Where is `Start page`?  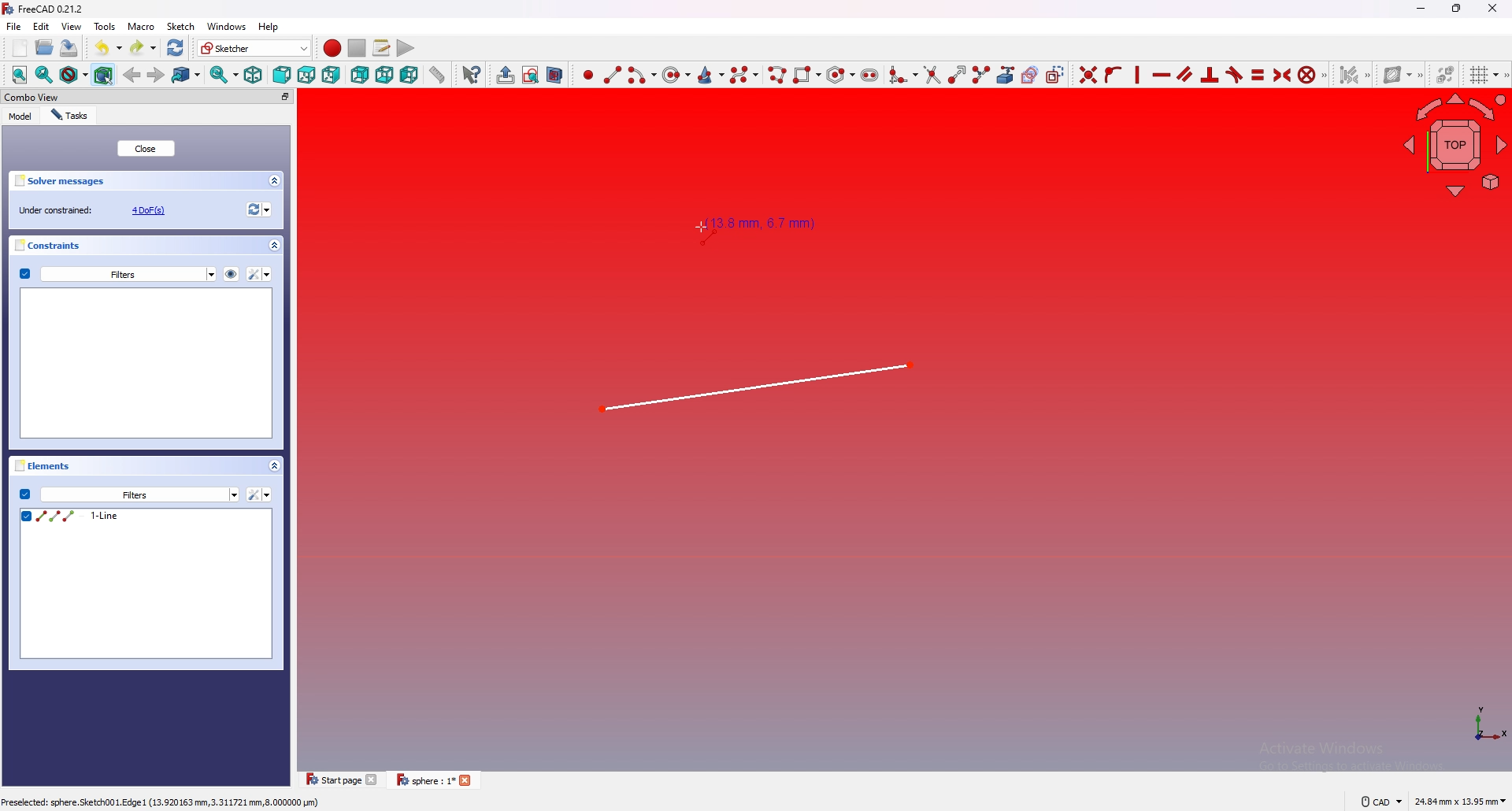
Start page is located at coordinates (340, 780).